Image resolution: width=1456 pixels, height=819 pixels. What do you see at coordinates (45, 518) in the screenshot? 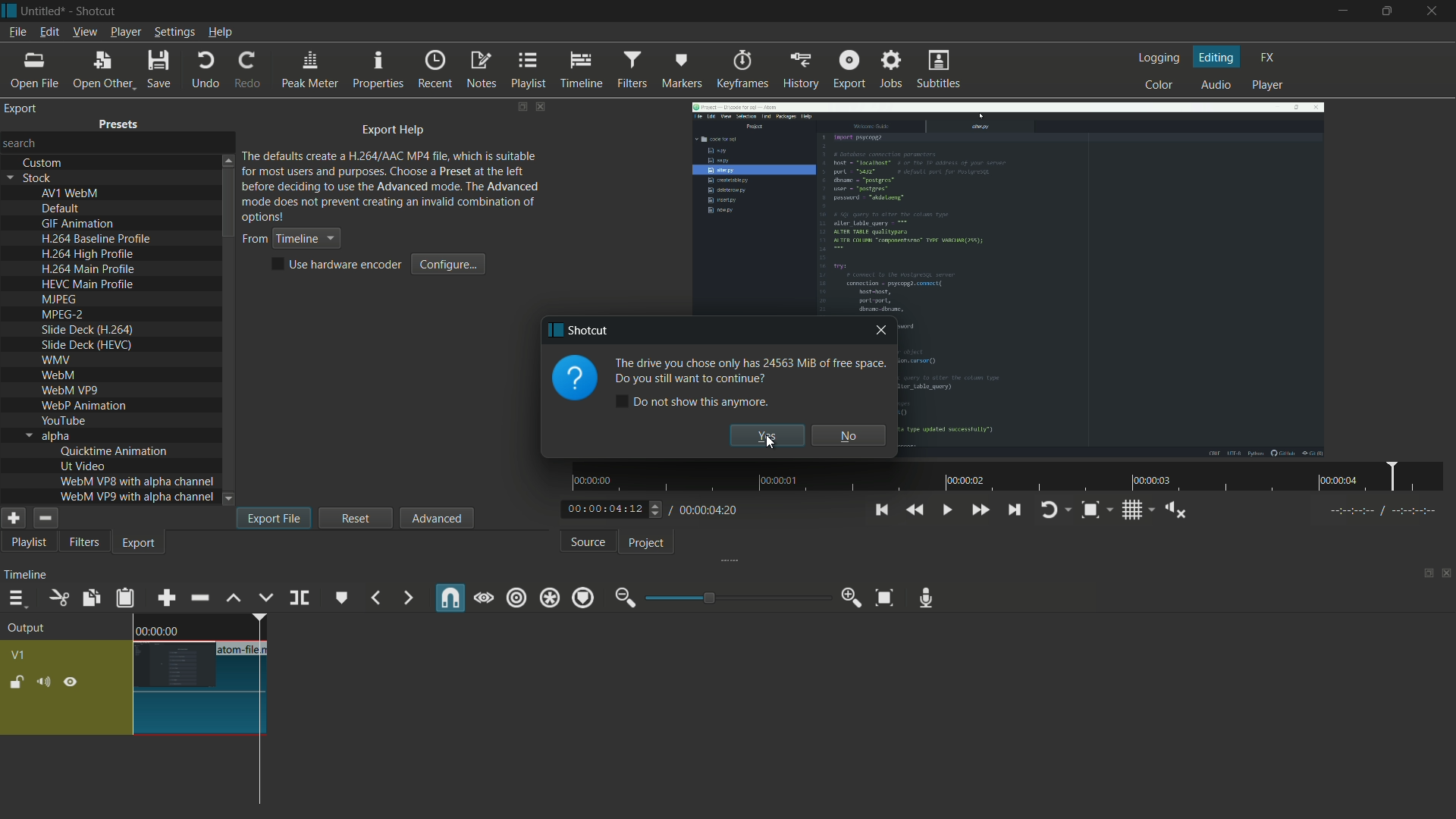
I see `remove selected preset` at bounding box center [45, 518].